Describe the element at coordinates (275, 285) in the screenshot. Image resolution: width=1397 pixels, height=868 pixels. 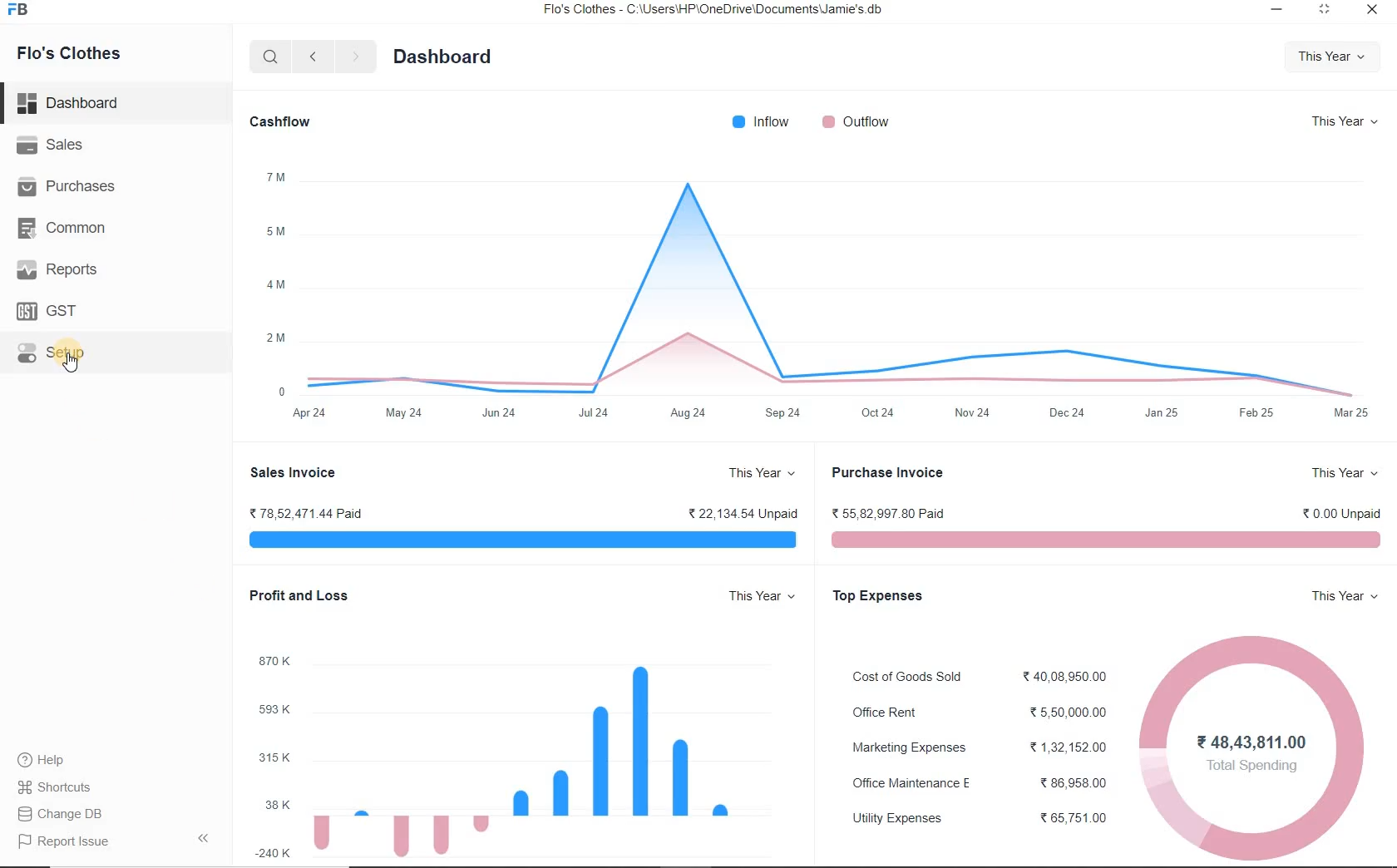
I see `4 m` at that location.